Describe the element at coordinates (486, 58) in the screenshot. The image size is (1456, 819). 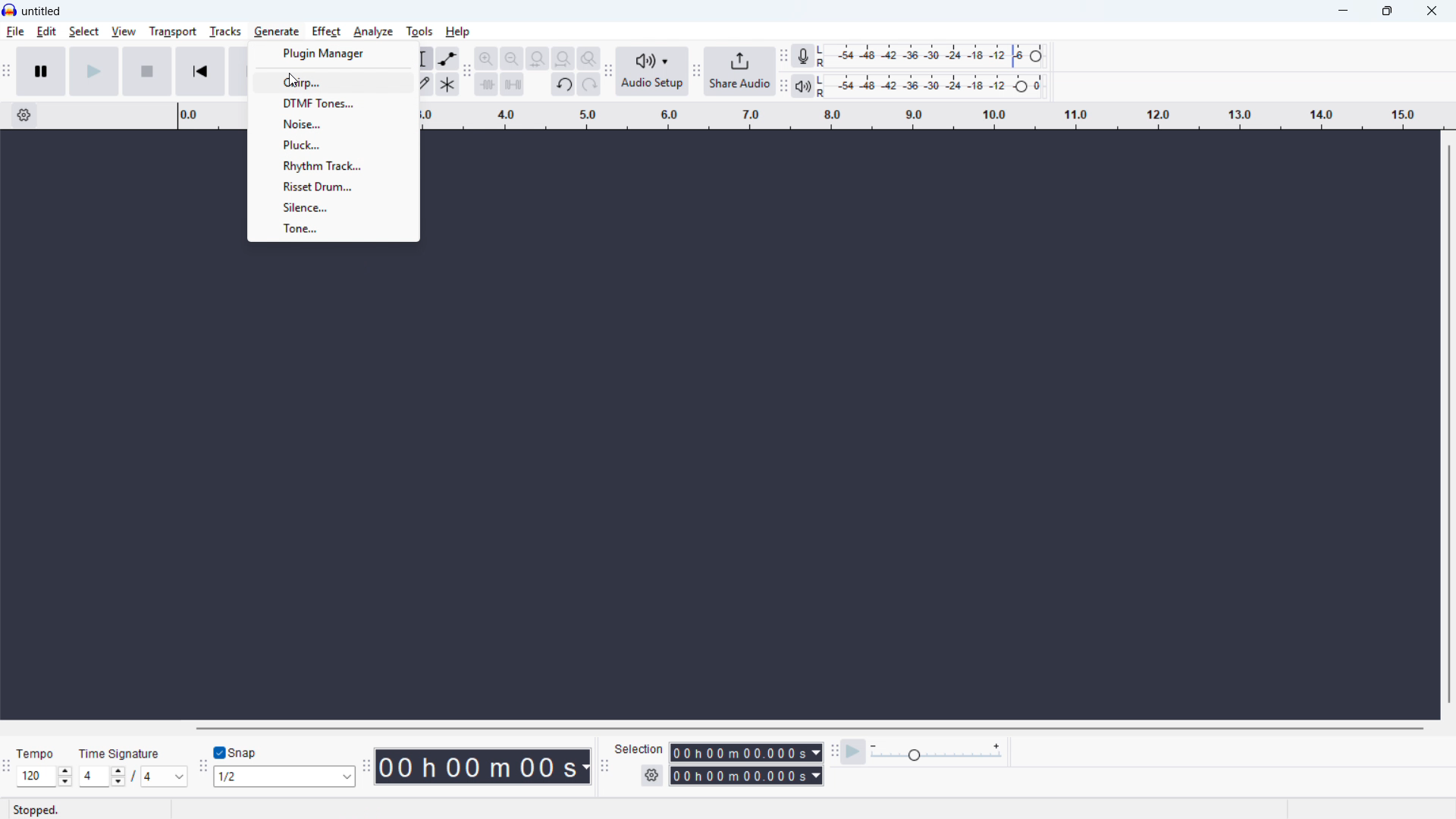
I see `Zoom in ` at that location.